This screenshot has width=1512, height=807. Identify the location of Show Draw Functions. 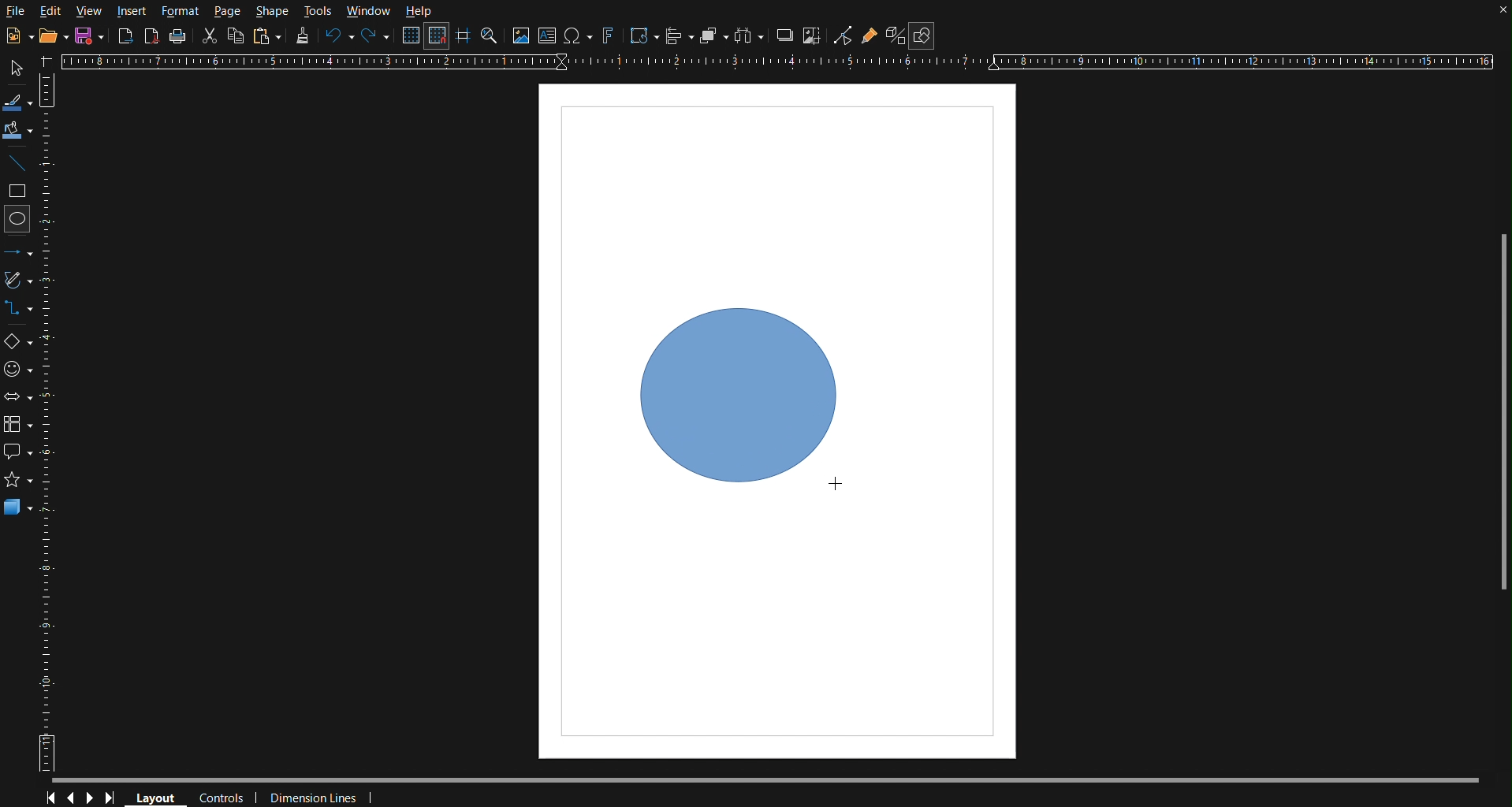
(922, 36).